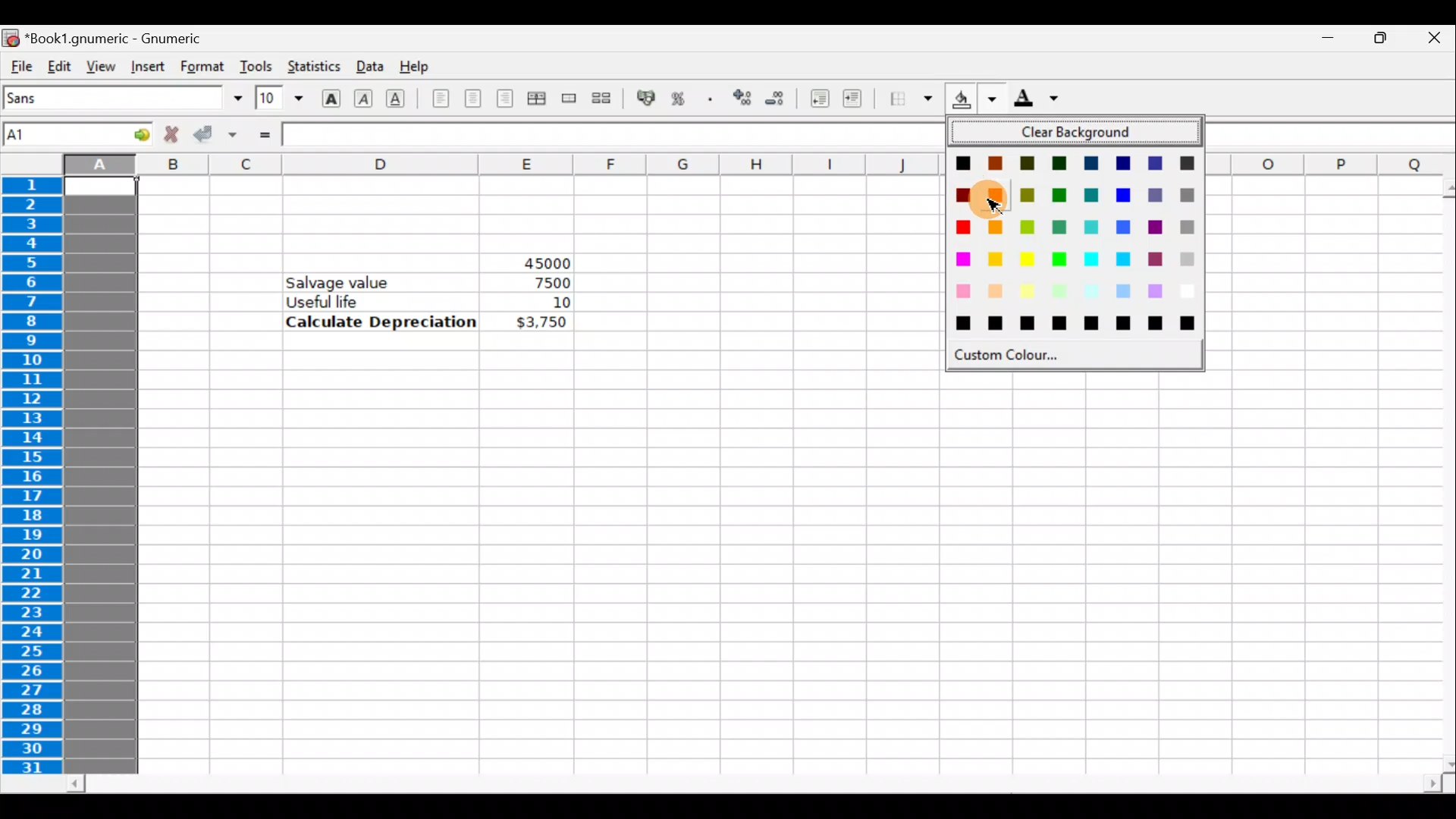 This screenshot has width=1456, height=819. What do you see at coordinates (1438, 475) in the screenshot?
I see `Scroll bar` at bounding box center [1438, 475].